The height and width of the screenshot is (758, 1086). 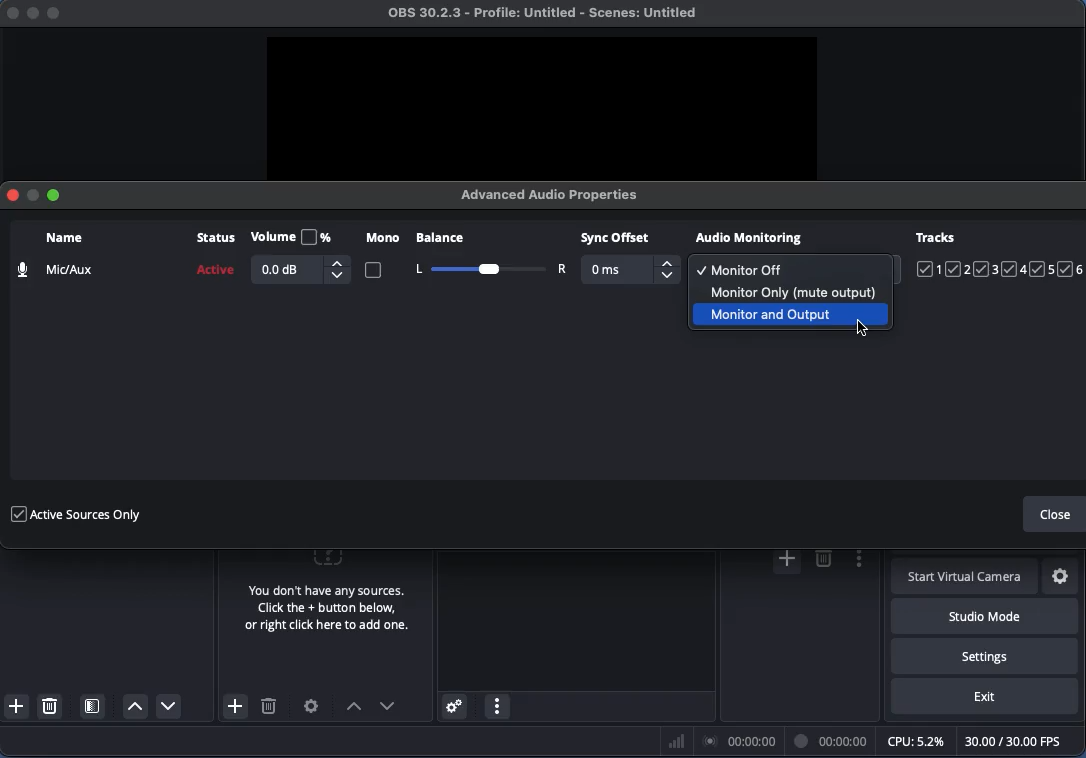 I want to click on Sync offset, so click(x=629, y=258).